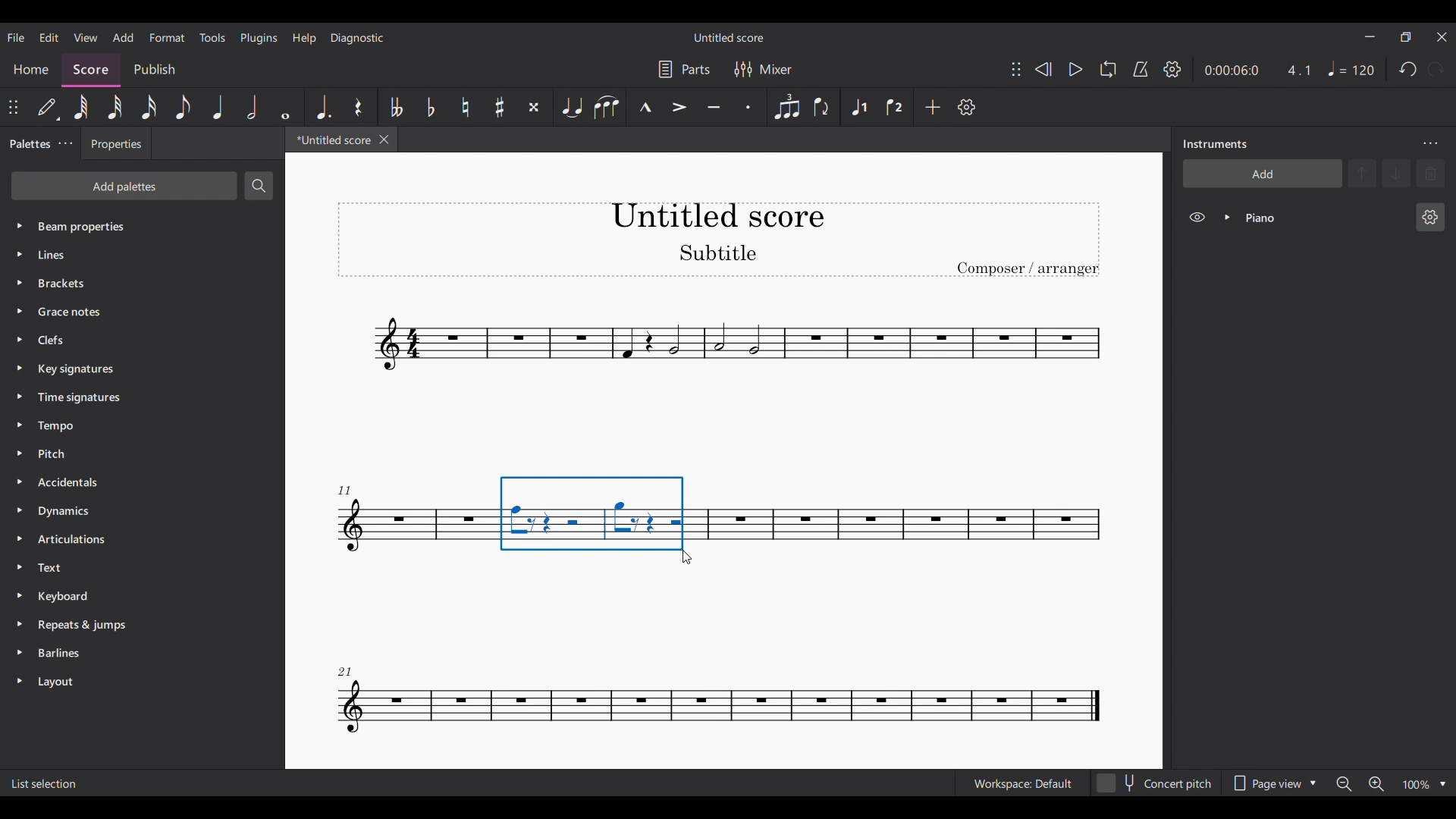 The image size is (1456, 819). Describe the element at coordinates (252, 107) in the screenshot. I see `Half note` at that location.